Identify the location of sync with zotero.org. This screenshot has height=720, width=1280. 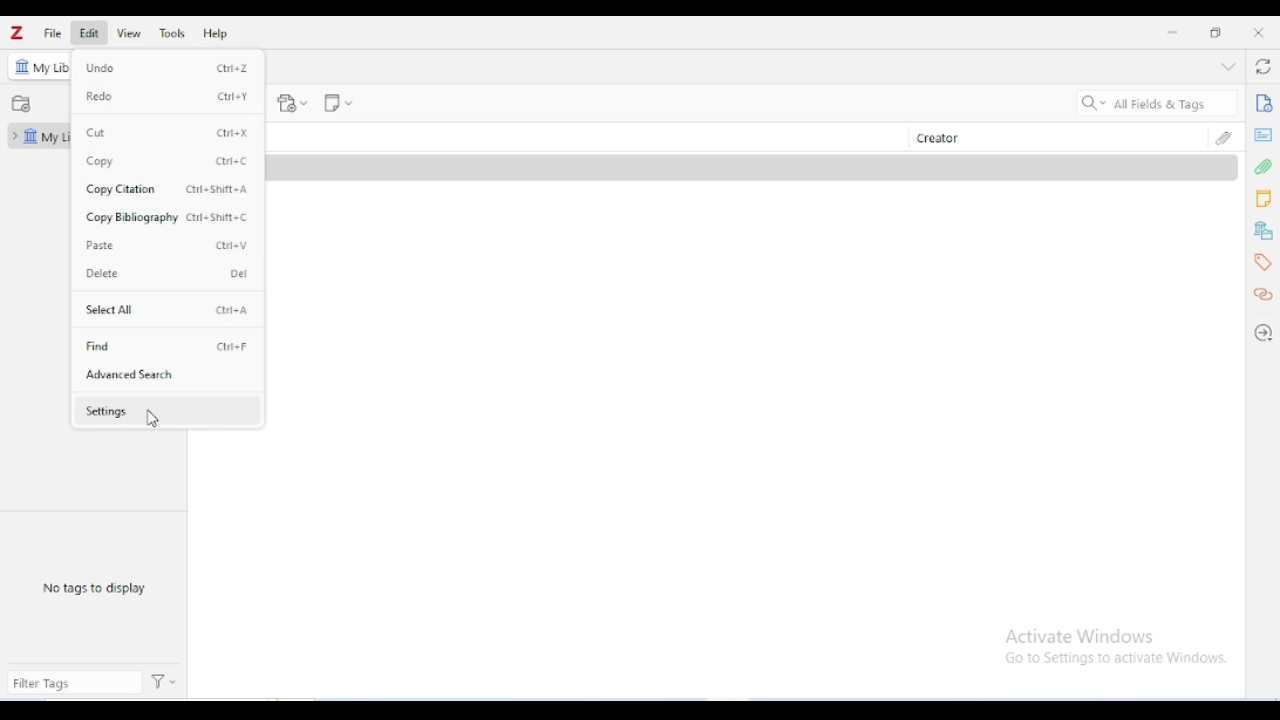
(1264, 66).